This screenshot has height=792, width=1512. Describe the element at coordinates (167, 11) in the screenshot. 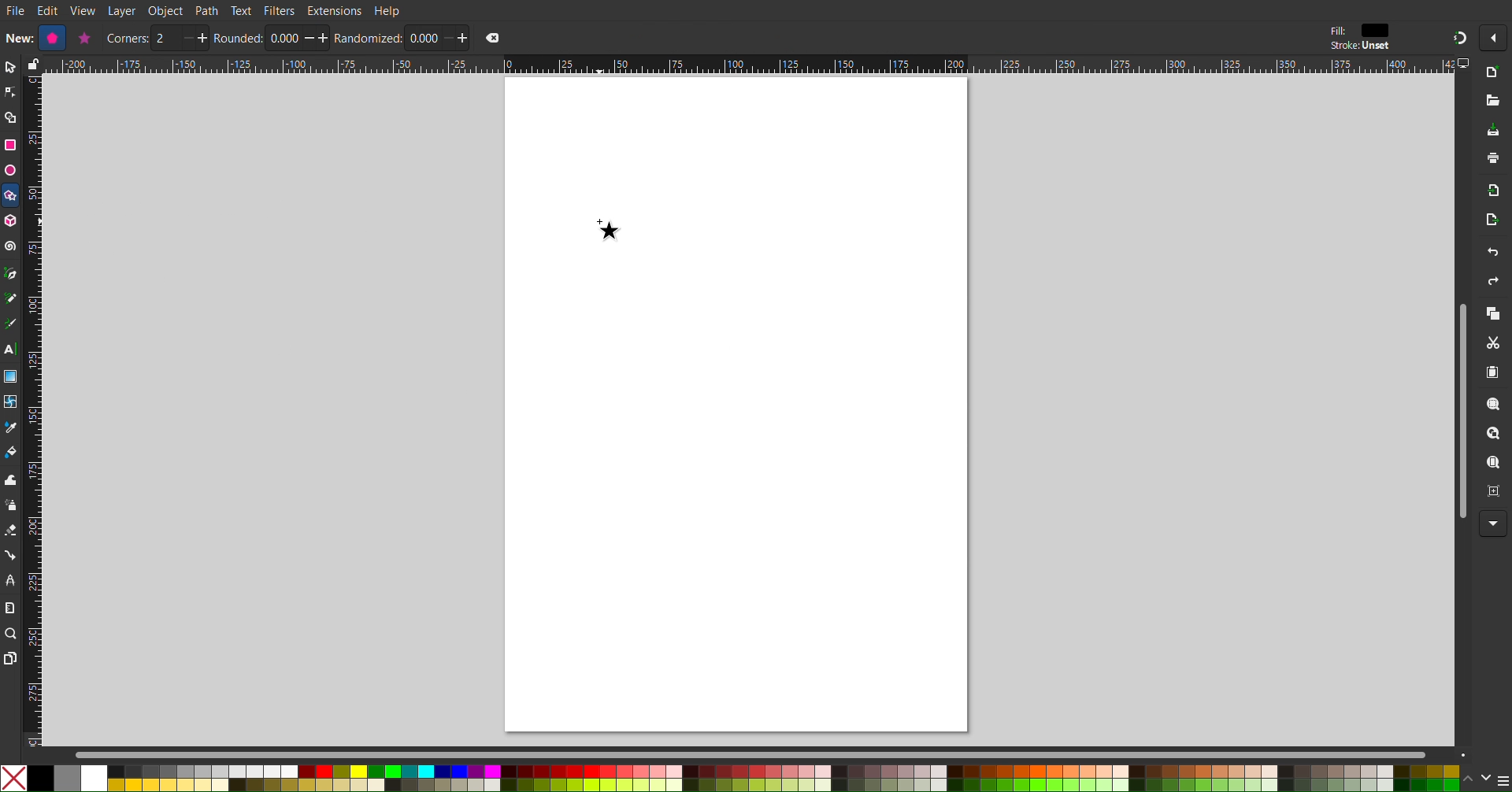

I see `Object` at that location.